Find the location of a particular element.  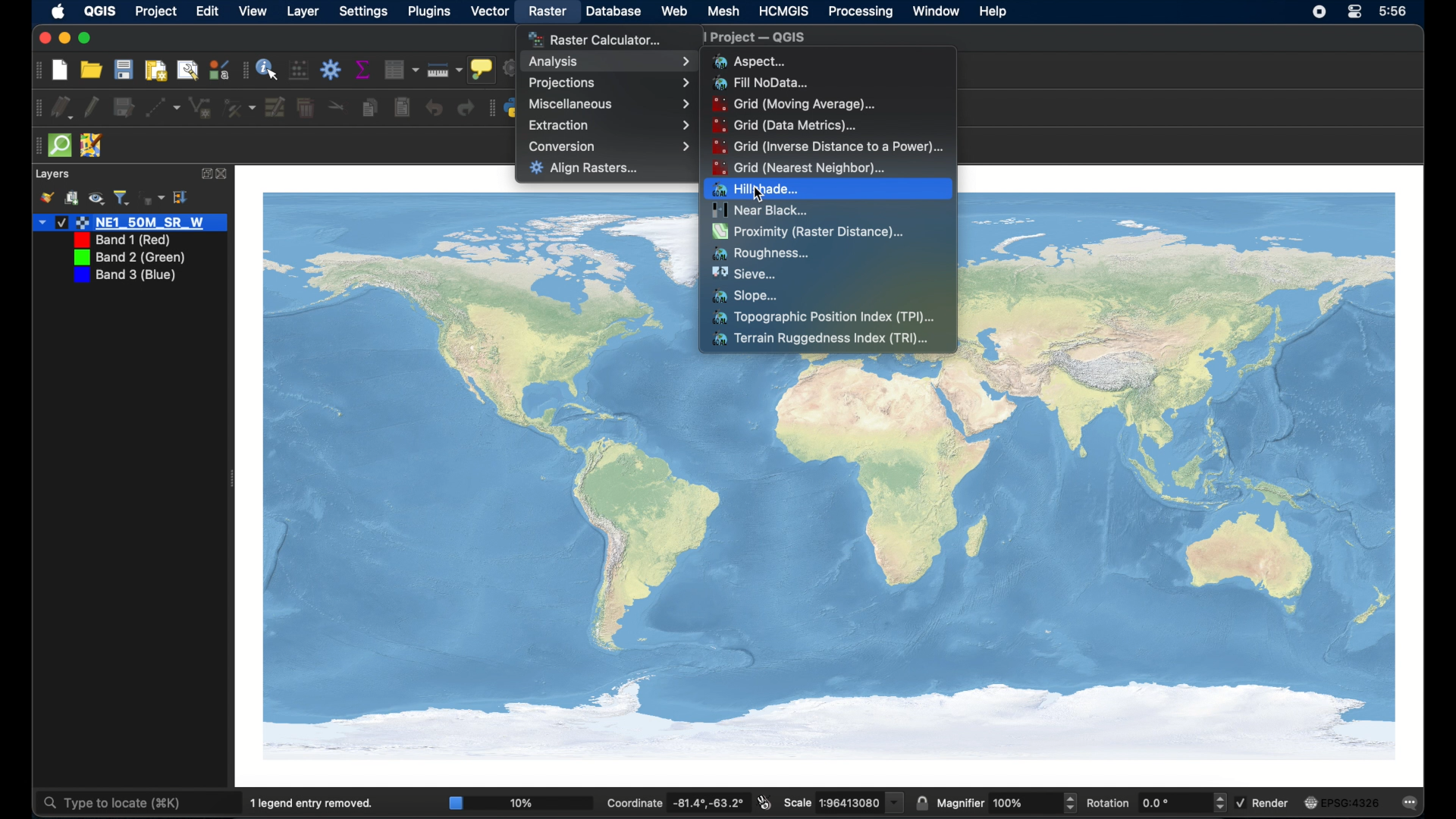

redo is located at coordinates (465, 108).